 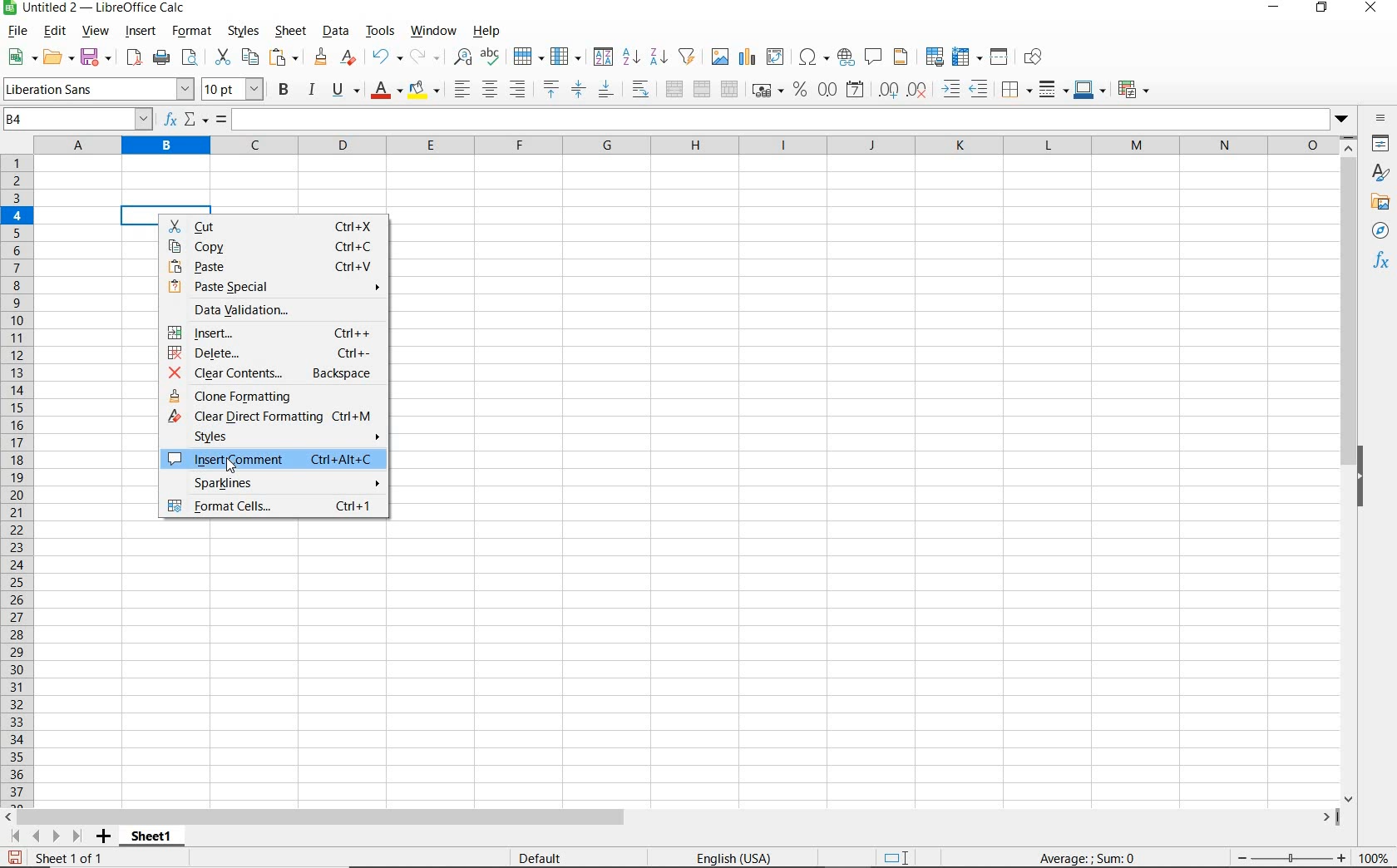 What do you see at coordinates (293, 32) in the screenshot?
I see `sheet` at bounding box center [293, 32].